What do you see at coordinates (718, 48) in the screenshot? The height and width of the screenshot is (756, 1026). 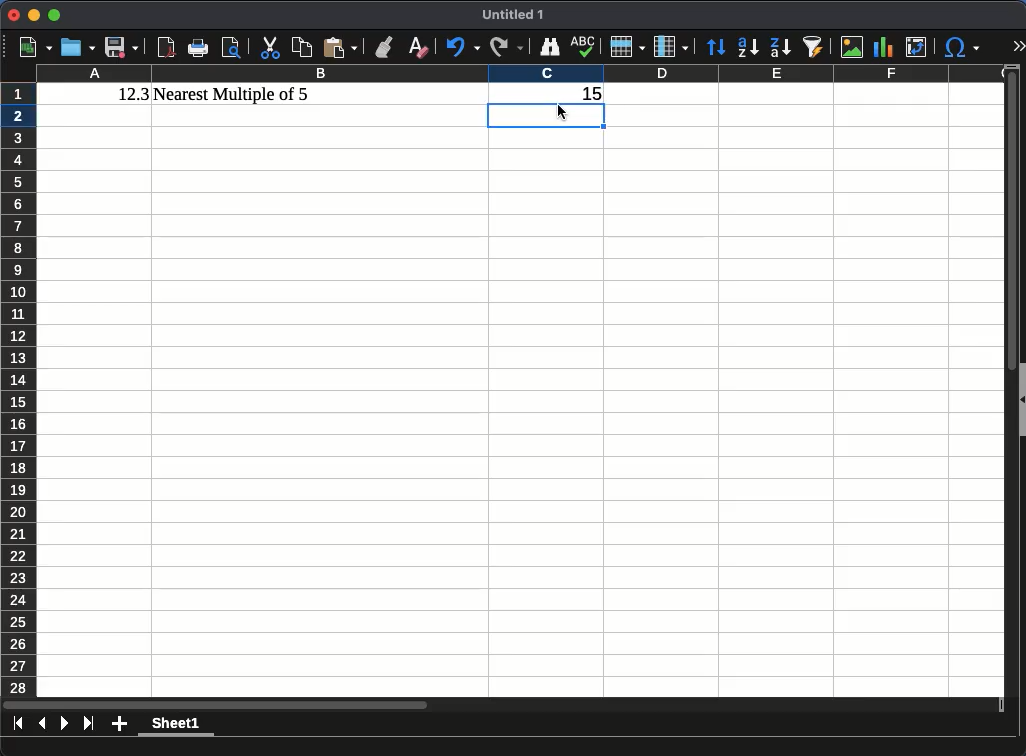 I see `sort` at bounding box center [718, 48].